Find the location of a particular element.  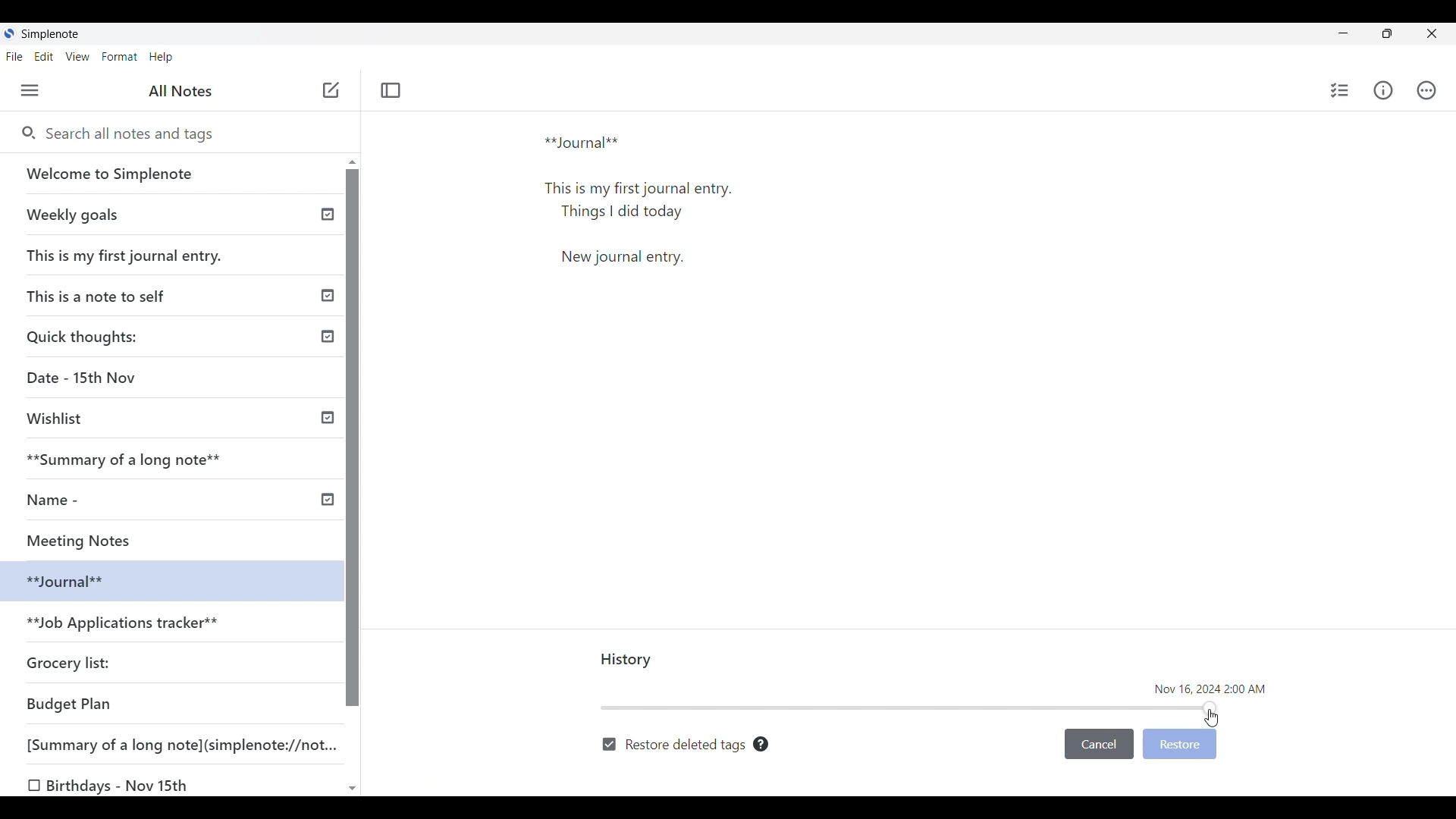

**Job Applications tracker** is located at coordinates (126, 624).